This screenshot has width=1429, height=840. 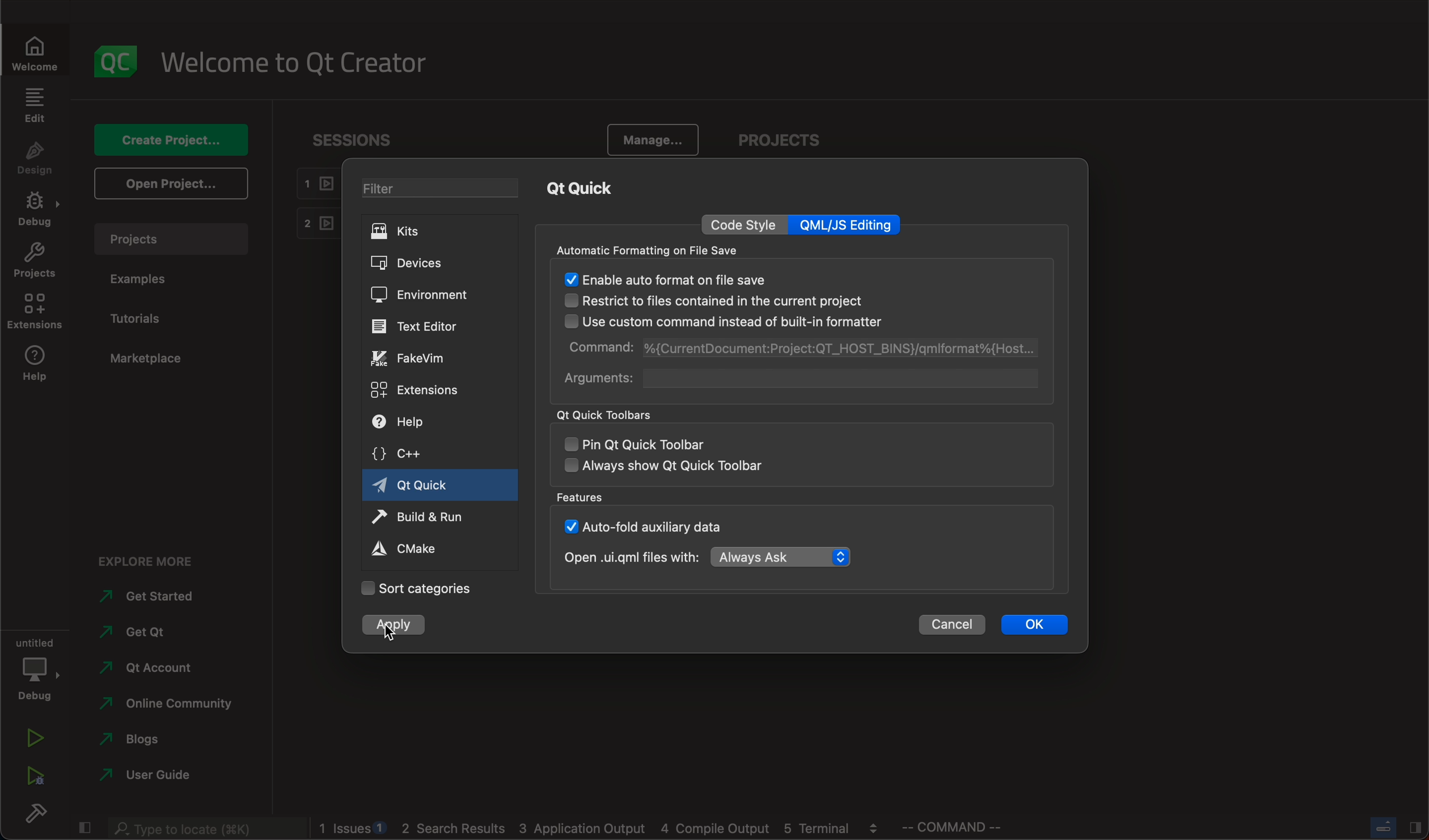 What do you see at coordinates (147, 631) in the screenshot?
I see `get` at bounding box center [147, 631].